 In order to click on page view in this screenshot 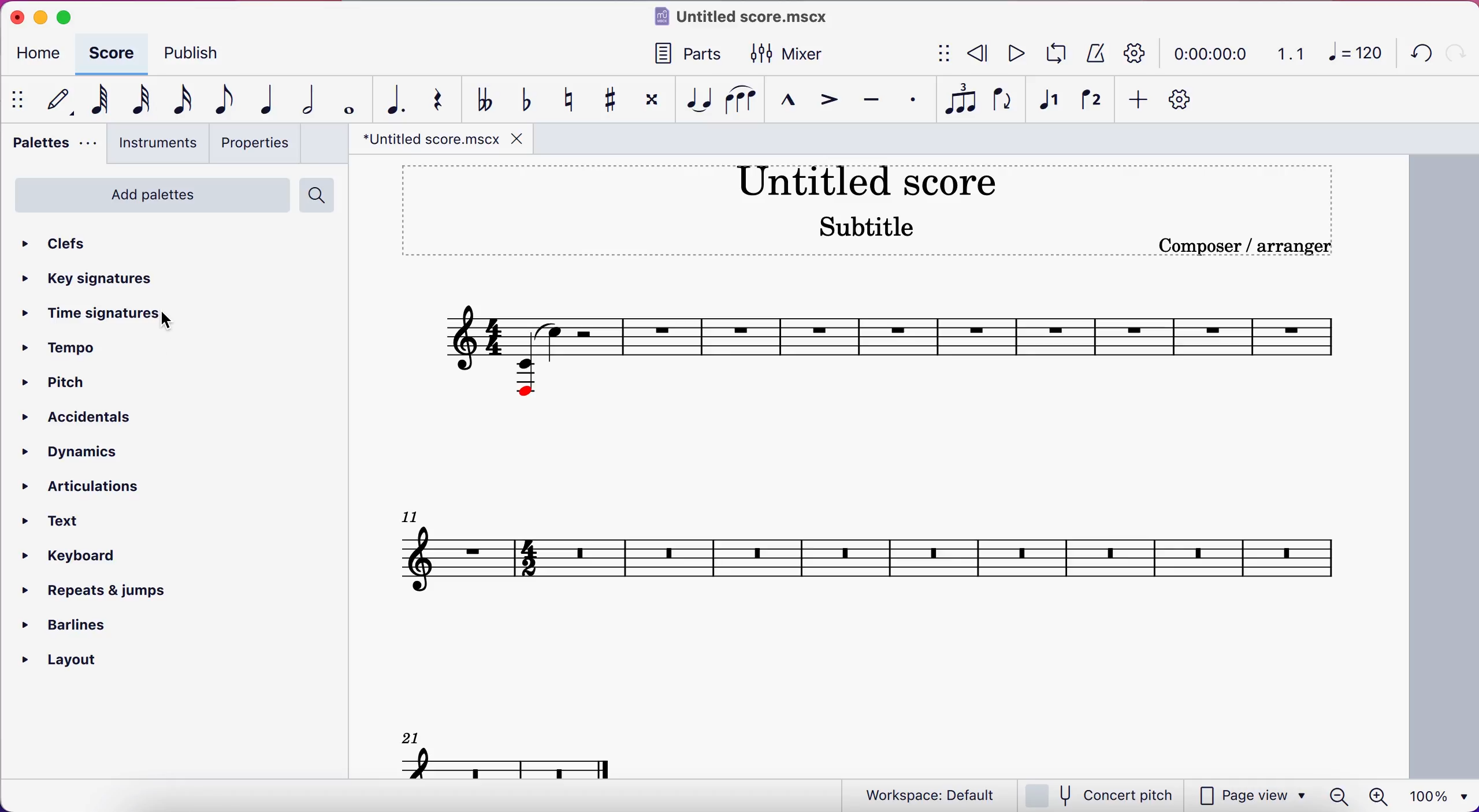, I will do `click(1250, 796)`.